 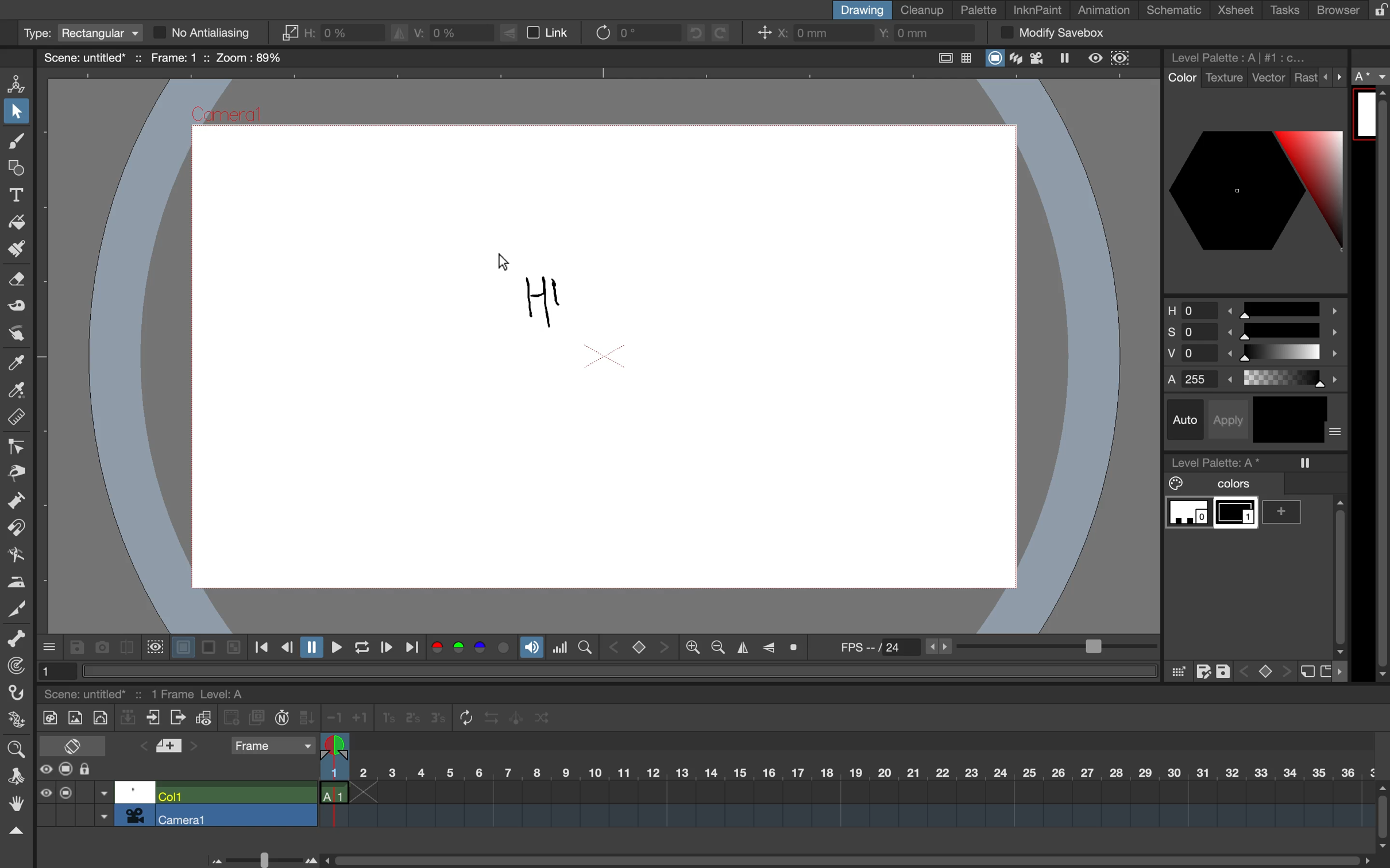 I want to click on freeze, so click(x=1069, y=60).